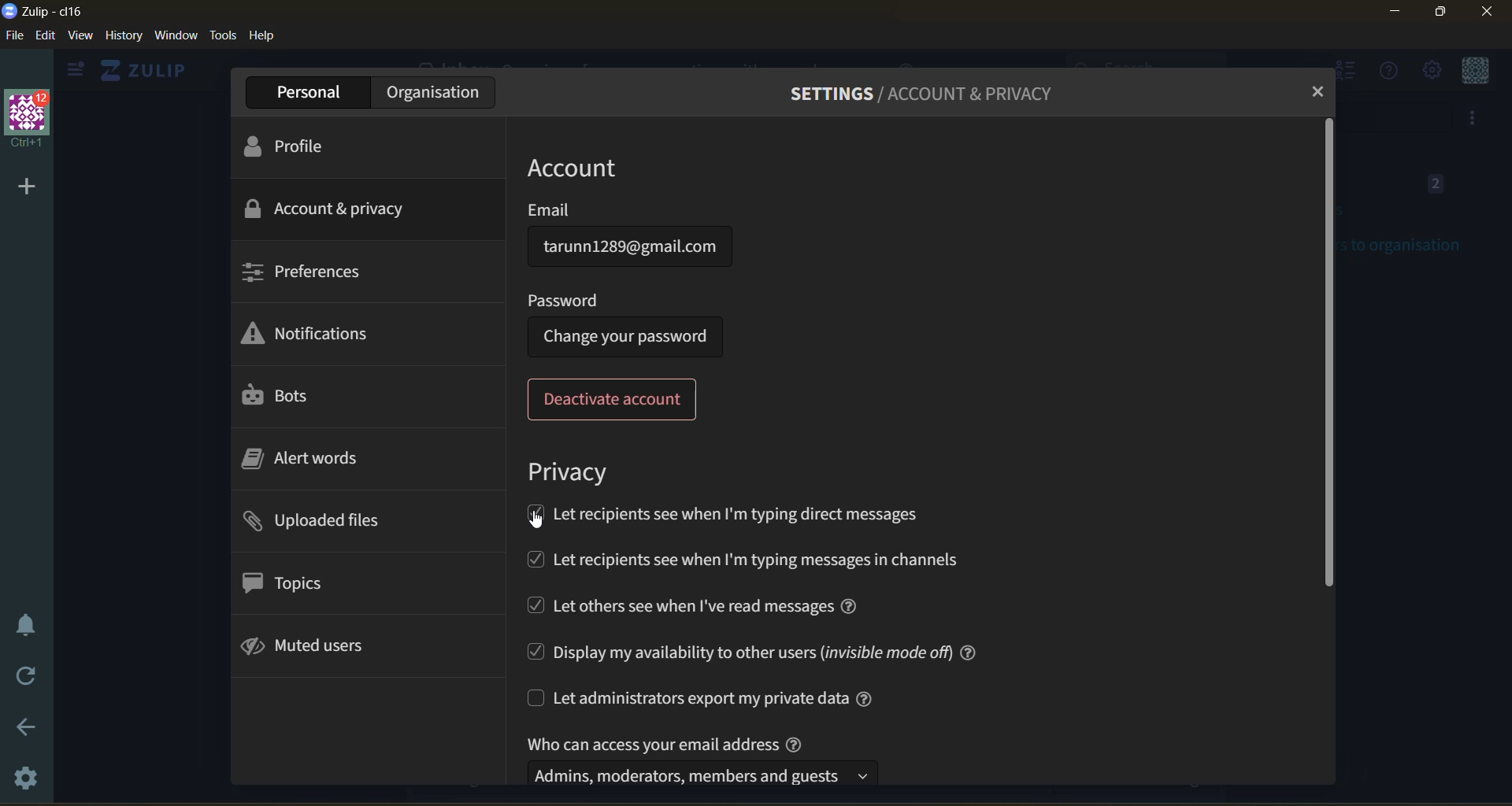 The image size is (1512, 806). Describe the element at coordinates (707, 758) in the screenshot. I see `who can access your email address` at that location.